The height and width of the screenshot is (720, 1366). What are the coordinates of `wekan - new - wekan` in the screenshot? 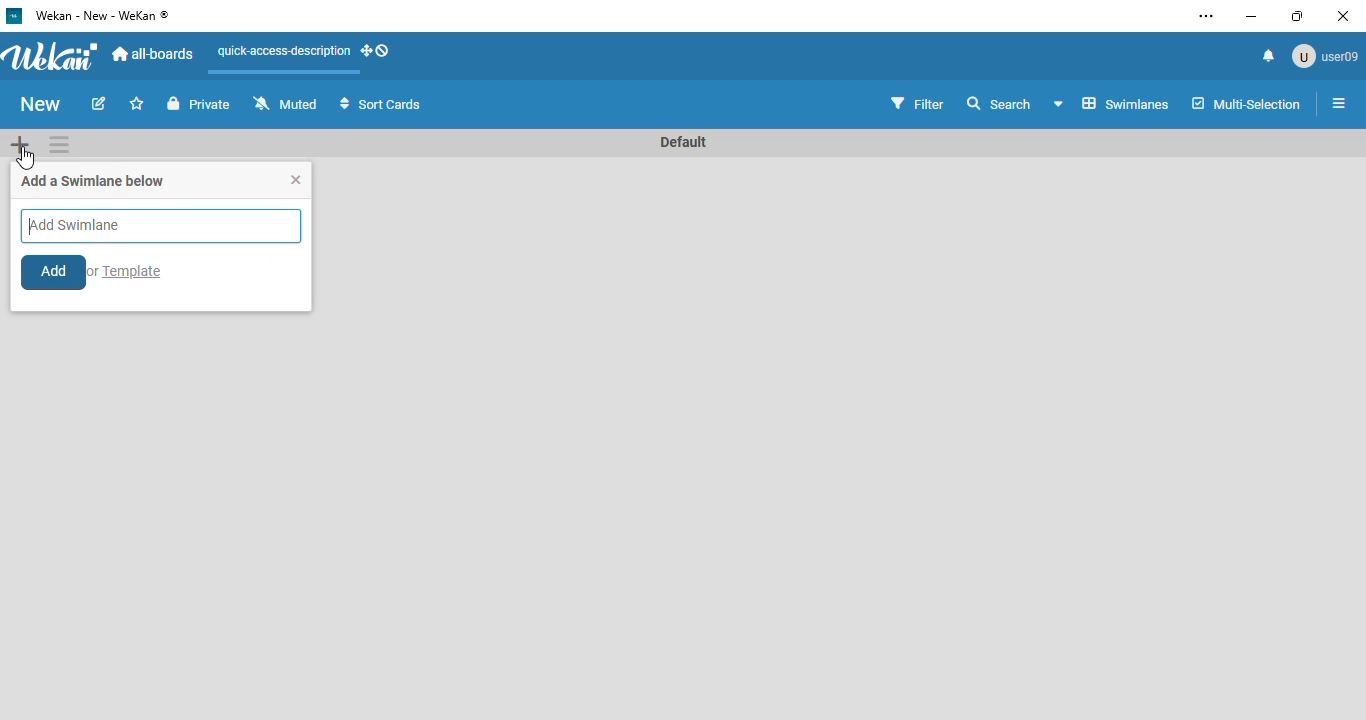 It's located at (102, 16).